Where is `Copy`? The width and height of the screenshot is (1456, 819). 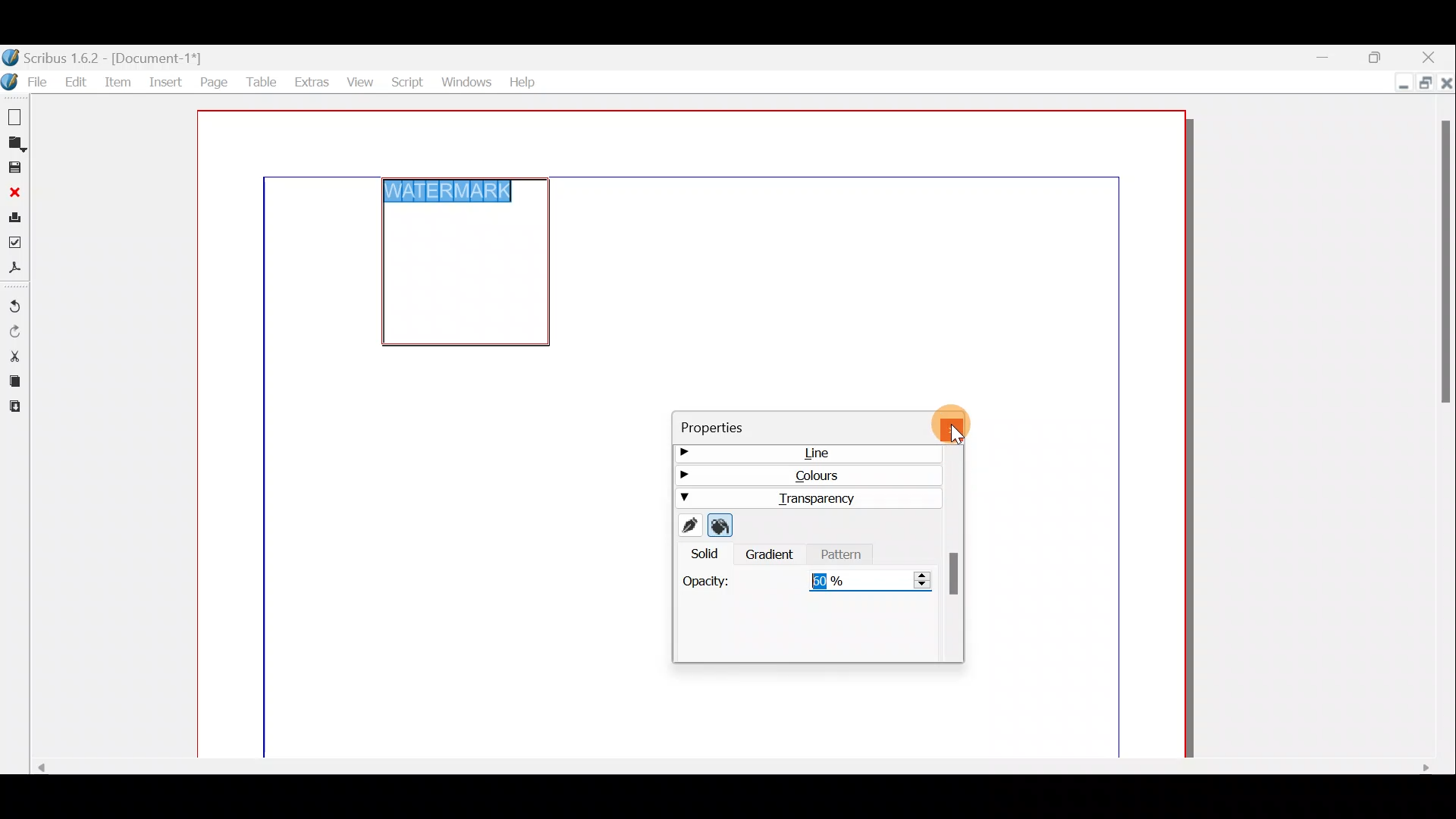 Copy is located at coordinates (12, 383).